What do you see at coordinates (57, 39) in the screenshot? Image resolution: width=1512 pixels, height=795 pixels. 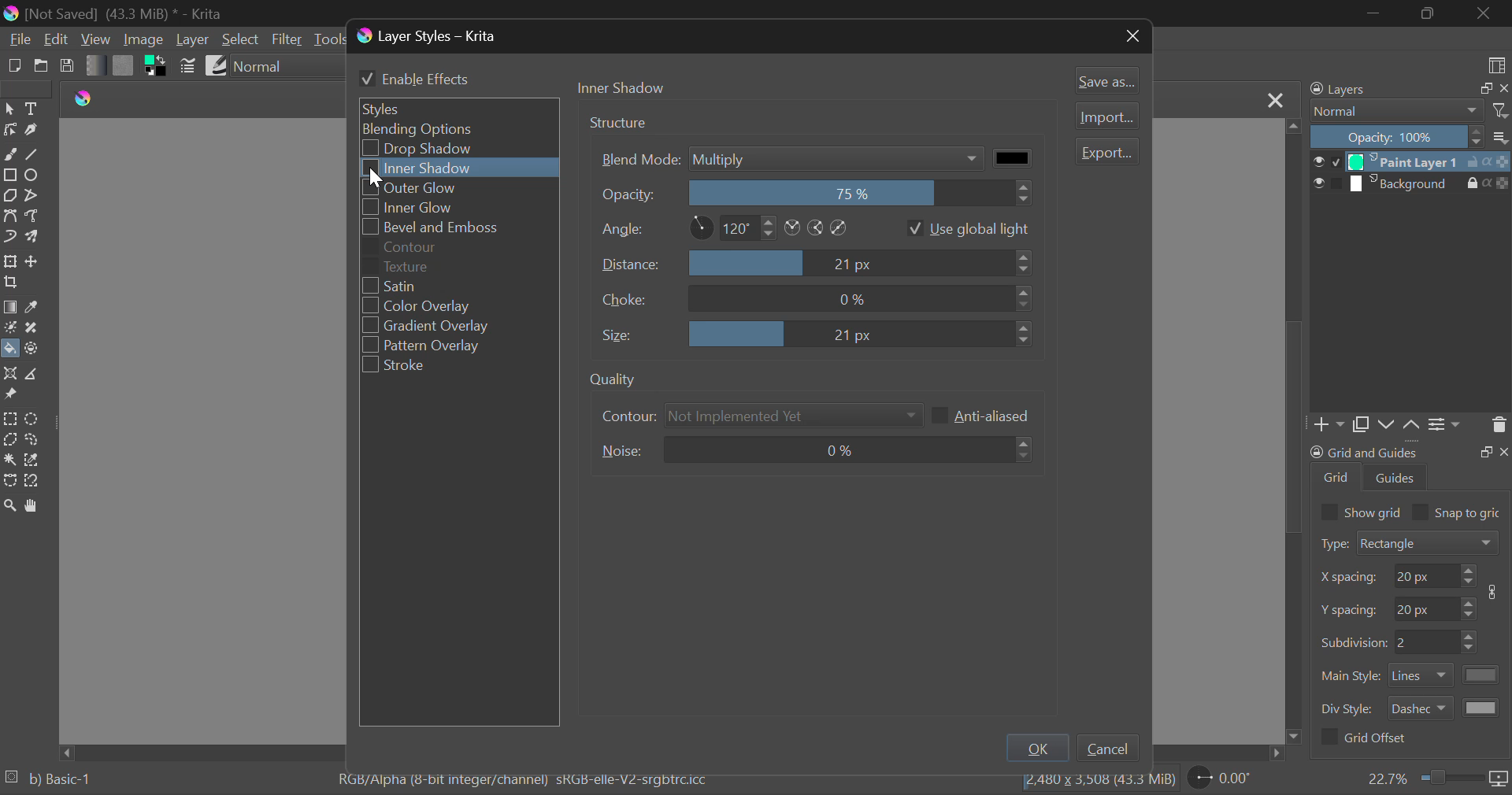 I see `Edit` at bounding box center [57, 39].